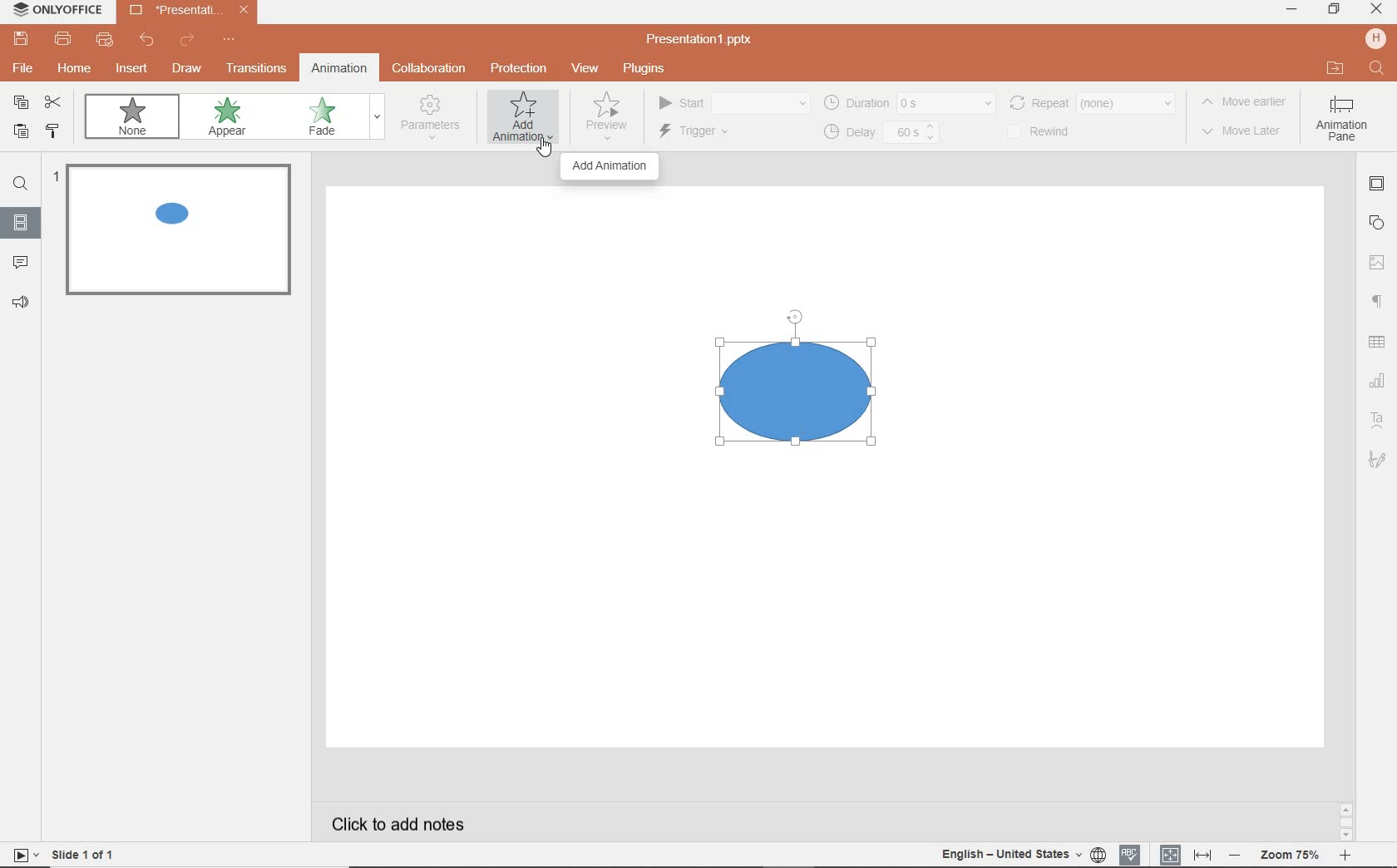 The height and width of the screenshot is (868, 1397). Describe the element at coordinates (331, 118) in the screenshot. I see `fade` at that location.